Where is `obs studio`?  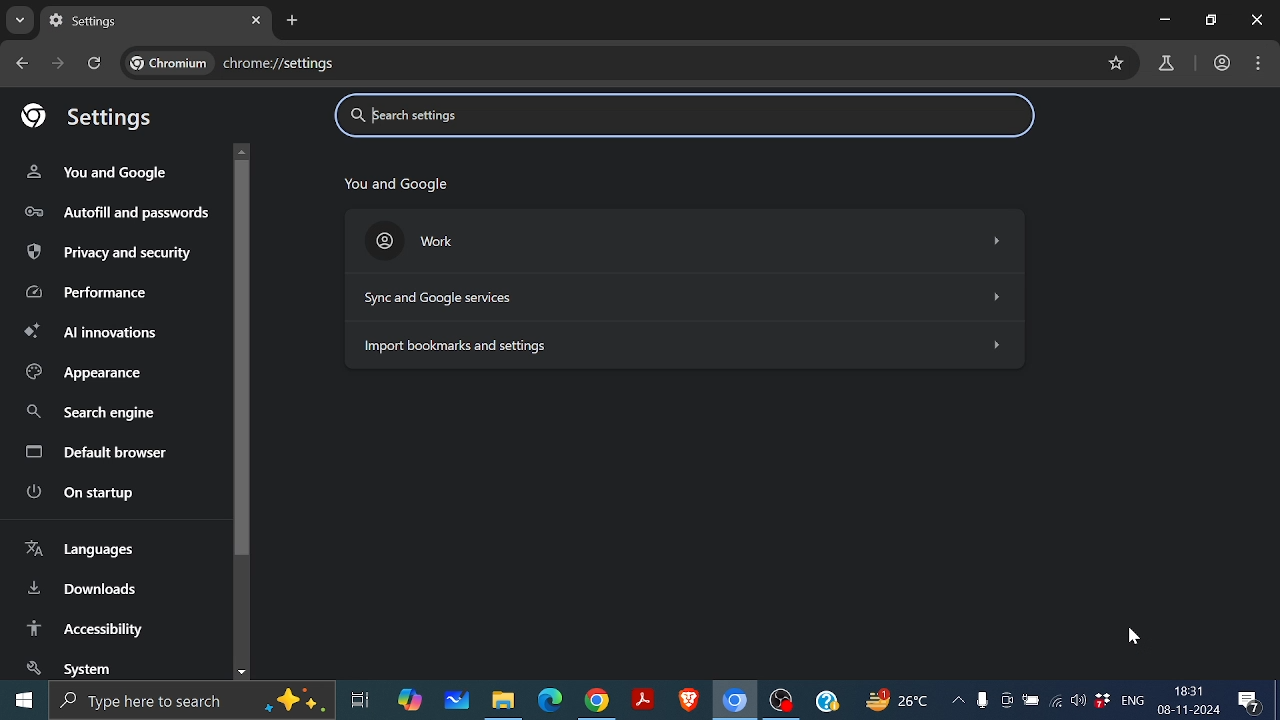 obs studio is located at coordinates (782, 703).